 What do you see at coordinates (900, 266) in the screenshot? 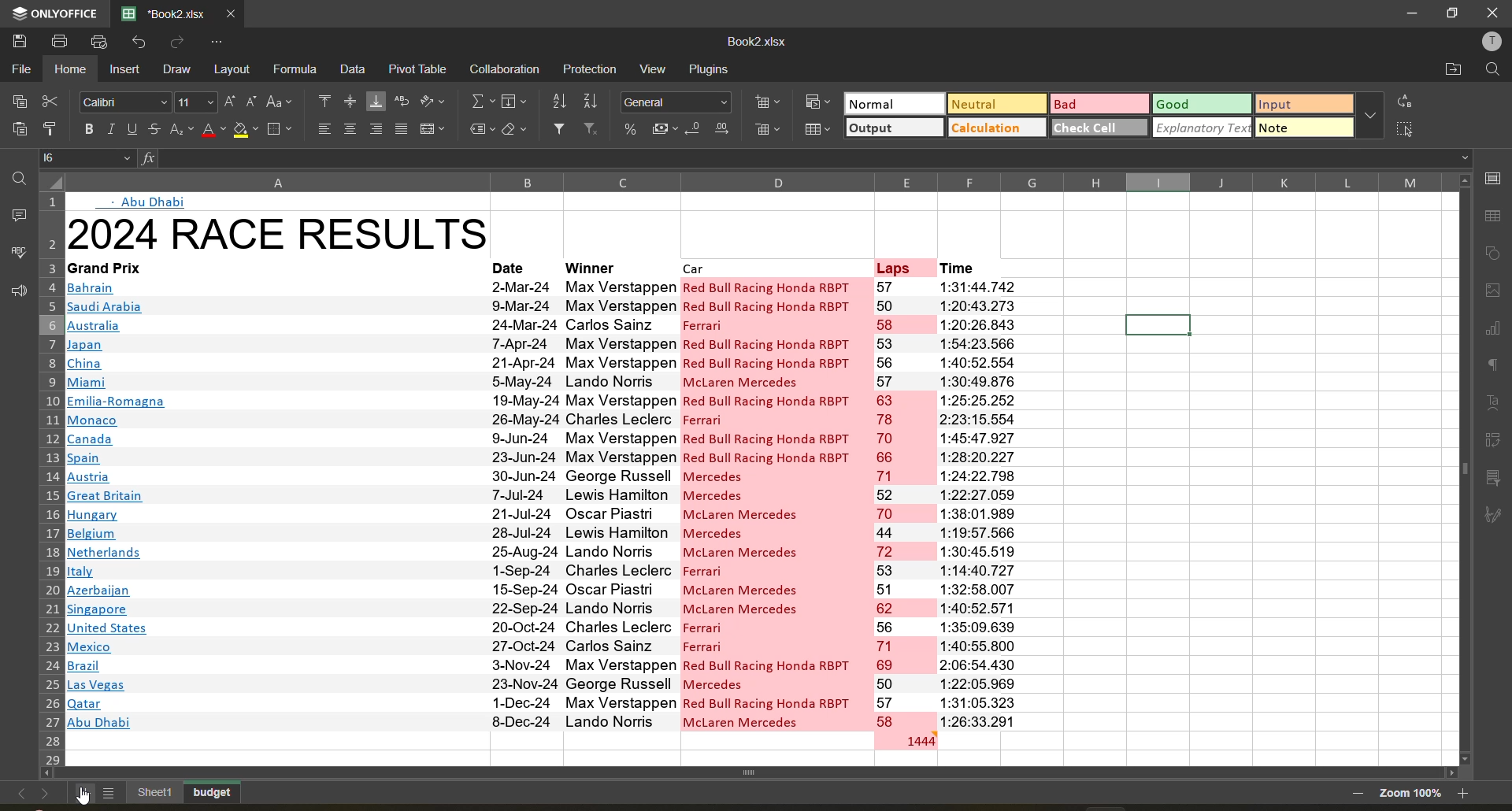
I see `laps` at bounding box center [900, 266].